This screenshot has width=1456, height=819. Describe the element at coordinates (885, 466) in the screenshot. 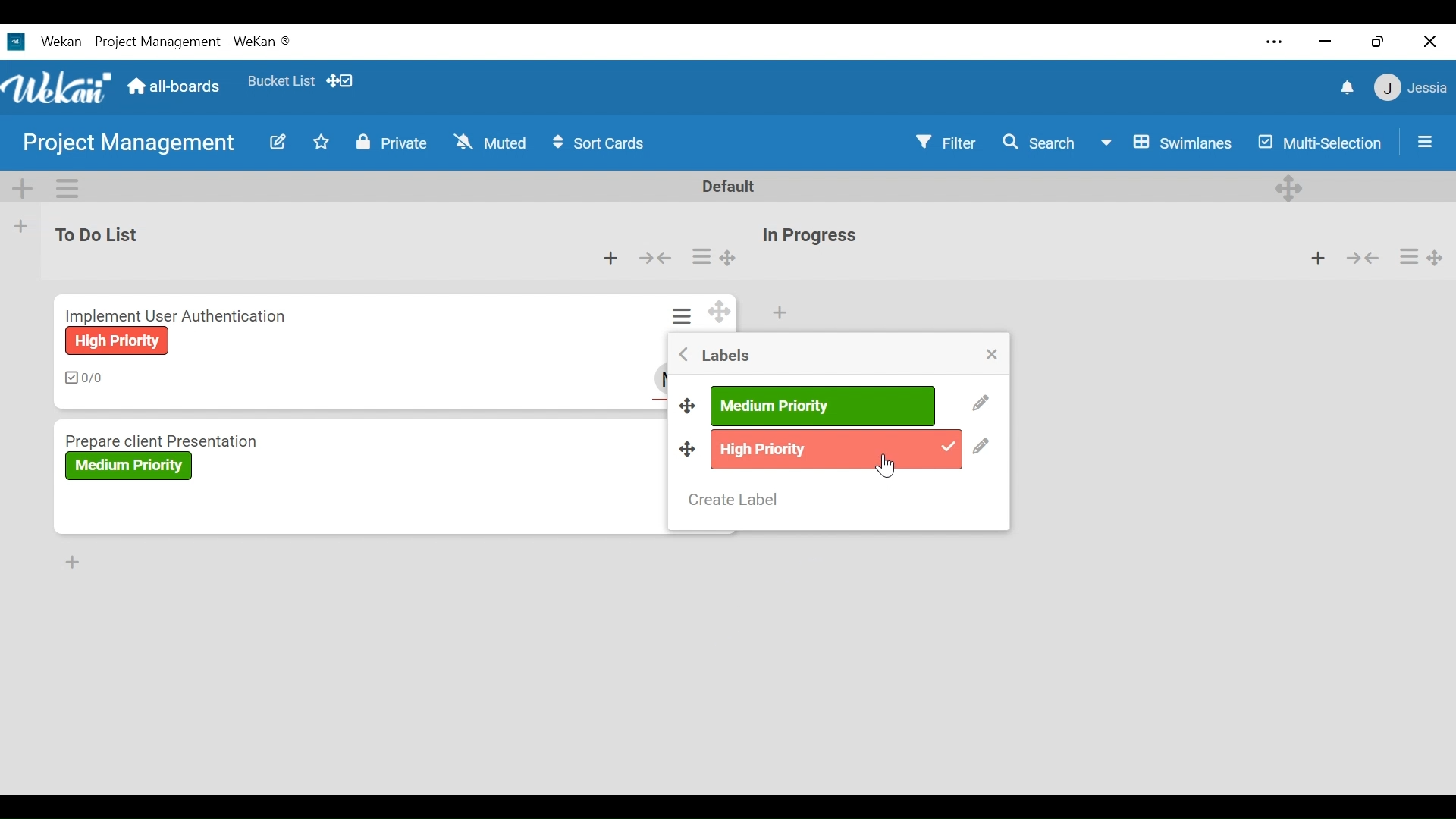

I see `Cursor` at that location.